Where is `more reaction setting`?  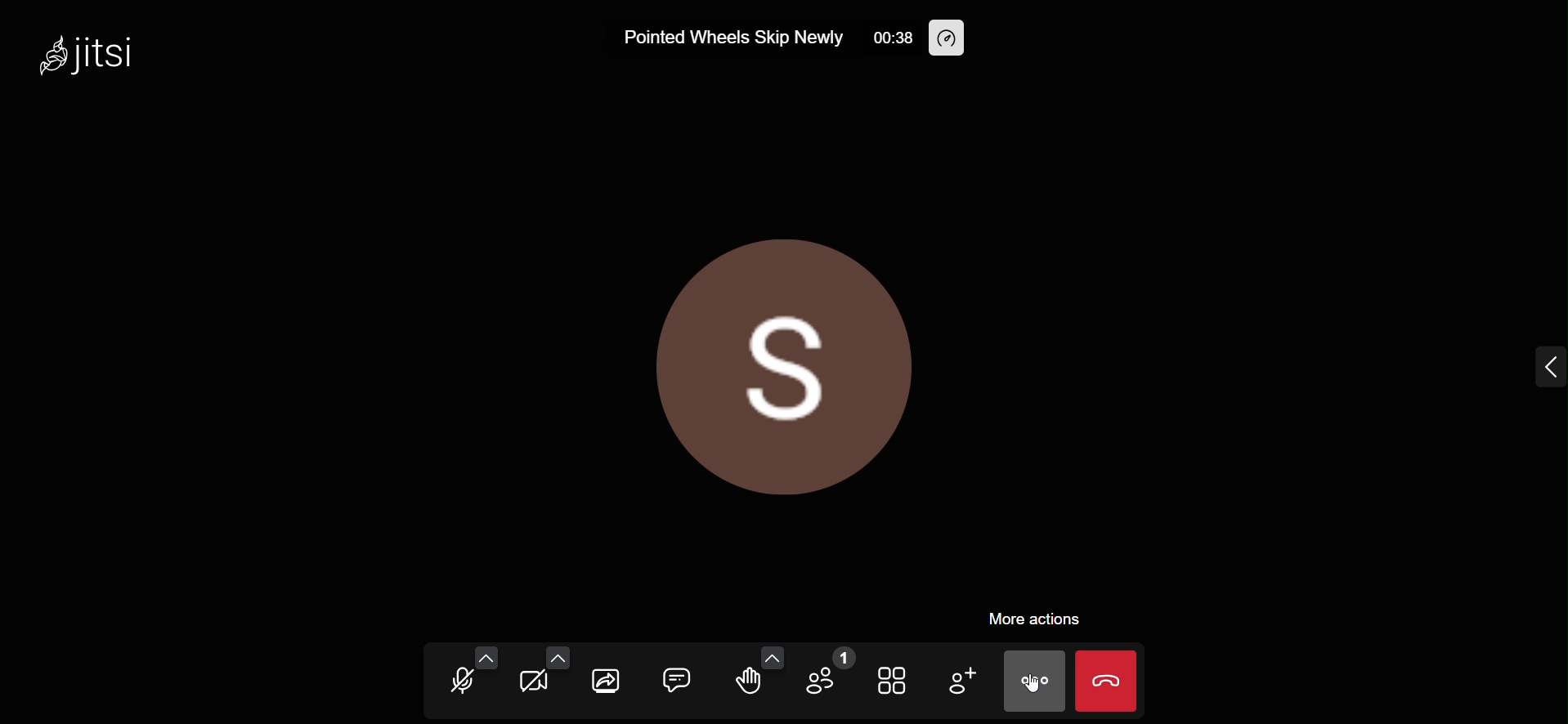 more reaction setting is located at coordinates (773, 655).